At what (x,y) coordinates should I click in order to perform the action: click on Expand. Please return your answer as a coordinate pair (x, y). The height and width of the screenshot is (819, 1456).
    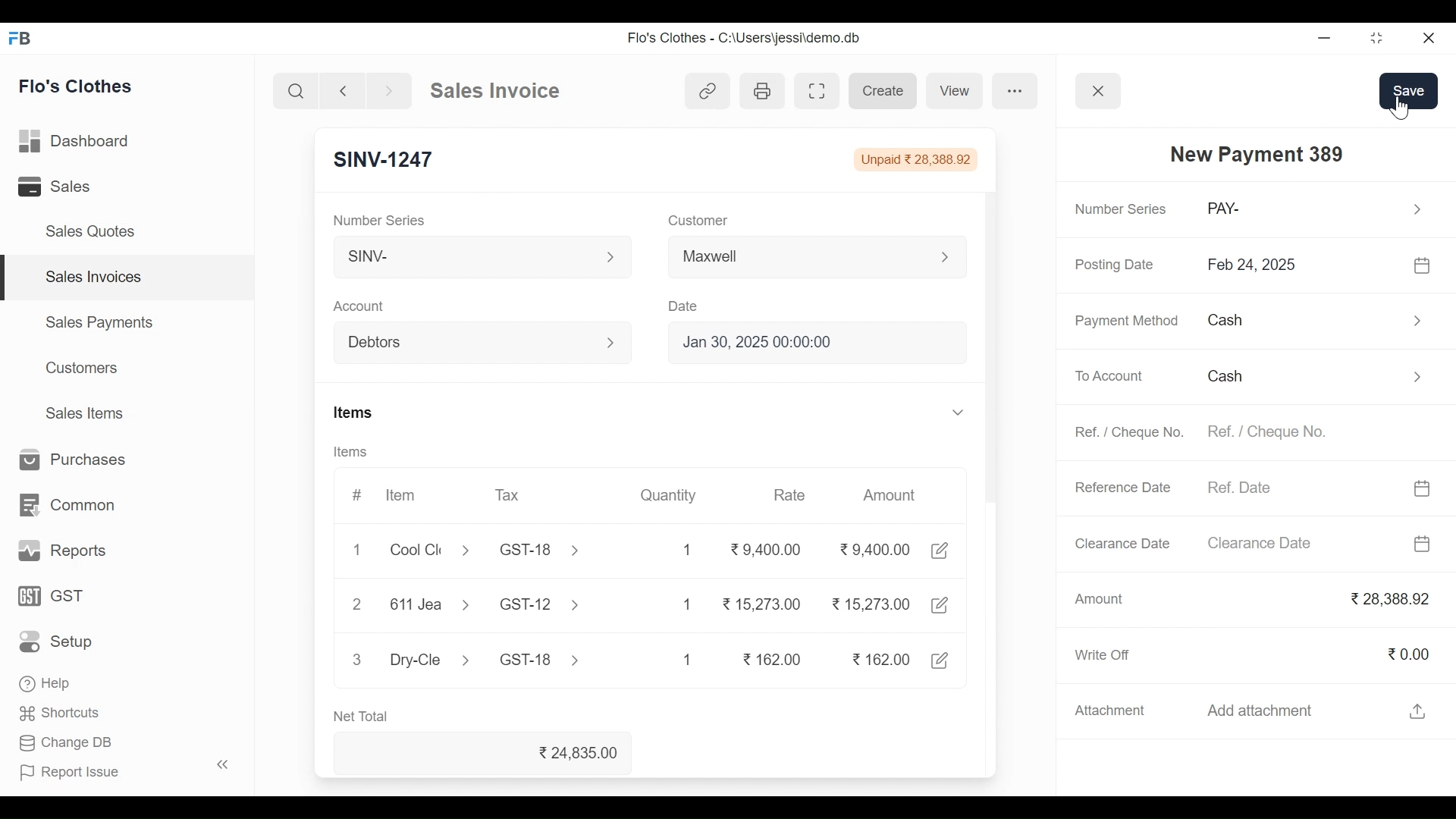
    Looking at the image, I should click on (1417, 208).